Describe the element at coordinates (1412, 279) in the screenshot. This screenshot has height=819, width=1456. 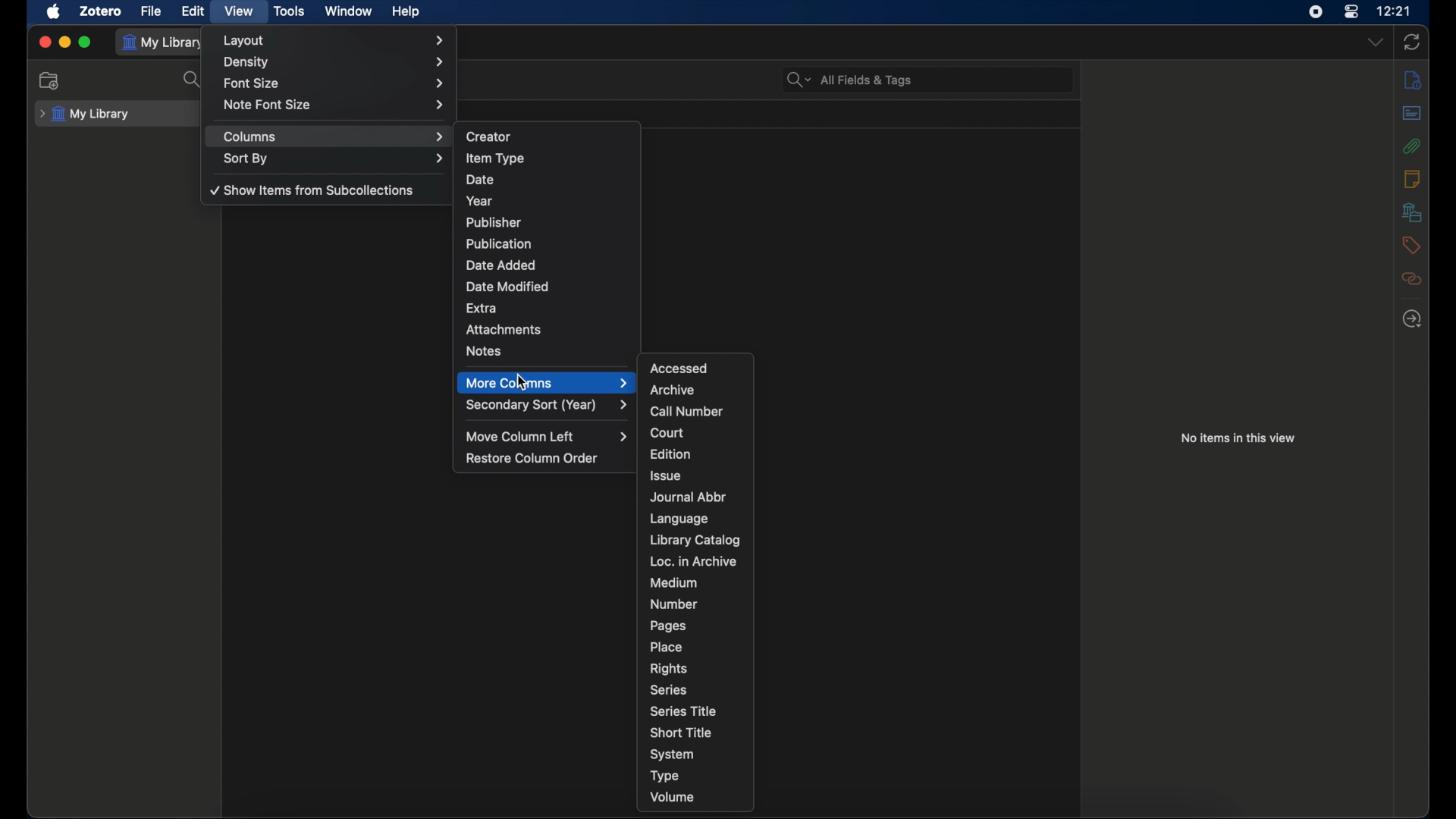
I see `attachments` at that location.